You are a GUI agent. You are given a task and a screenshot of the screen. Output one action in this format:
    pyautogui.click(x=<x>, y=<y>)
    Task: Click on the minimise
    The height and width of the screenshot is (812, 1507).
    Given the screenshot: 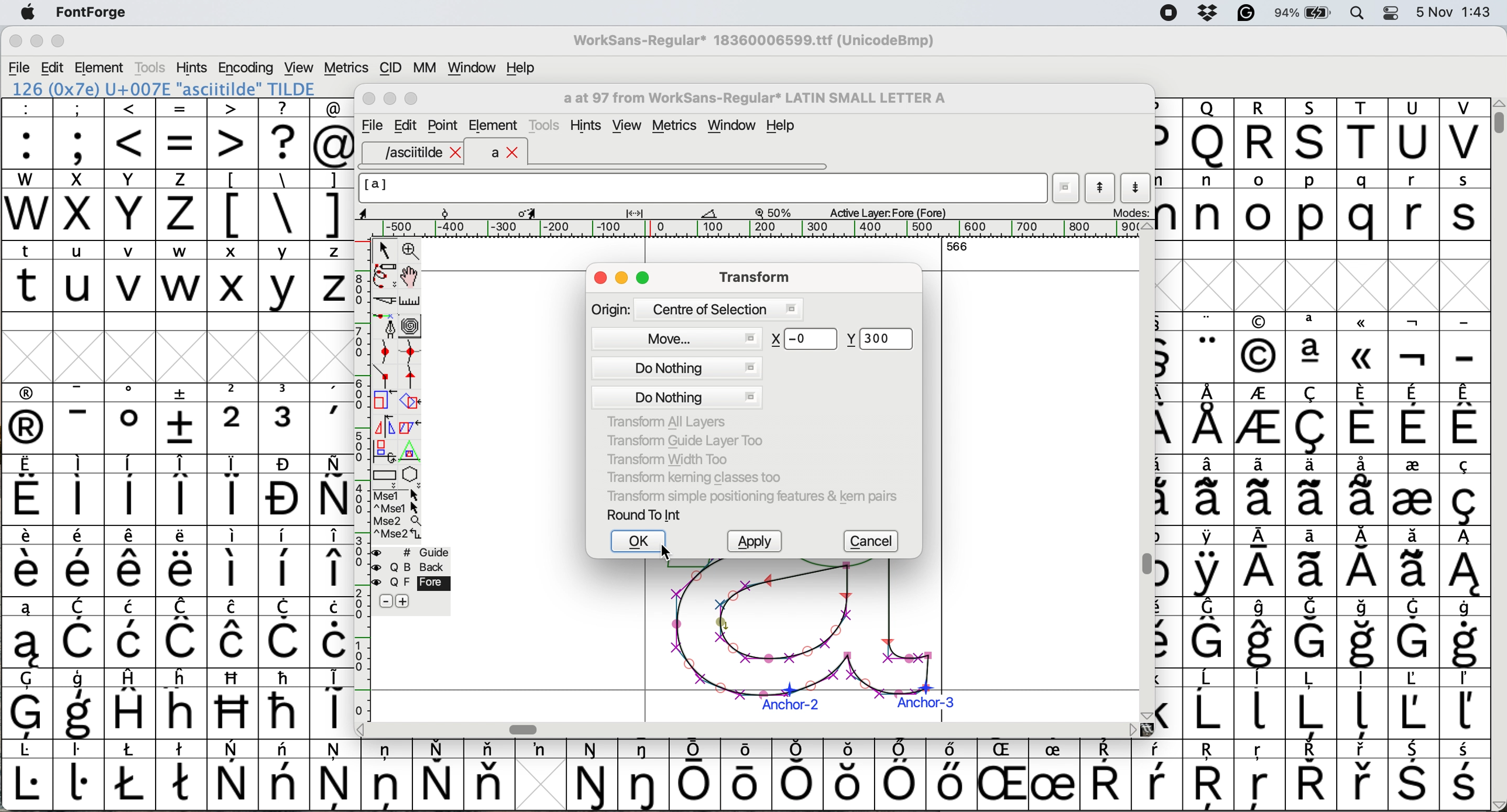 What is the action you would take?
    pyautogui.click(x=35, y=42)
    